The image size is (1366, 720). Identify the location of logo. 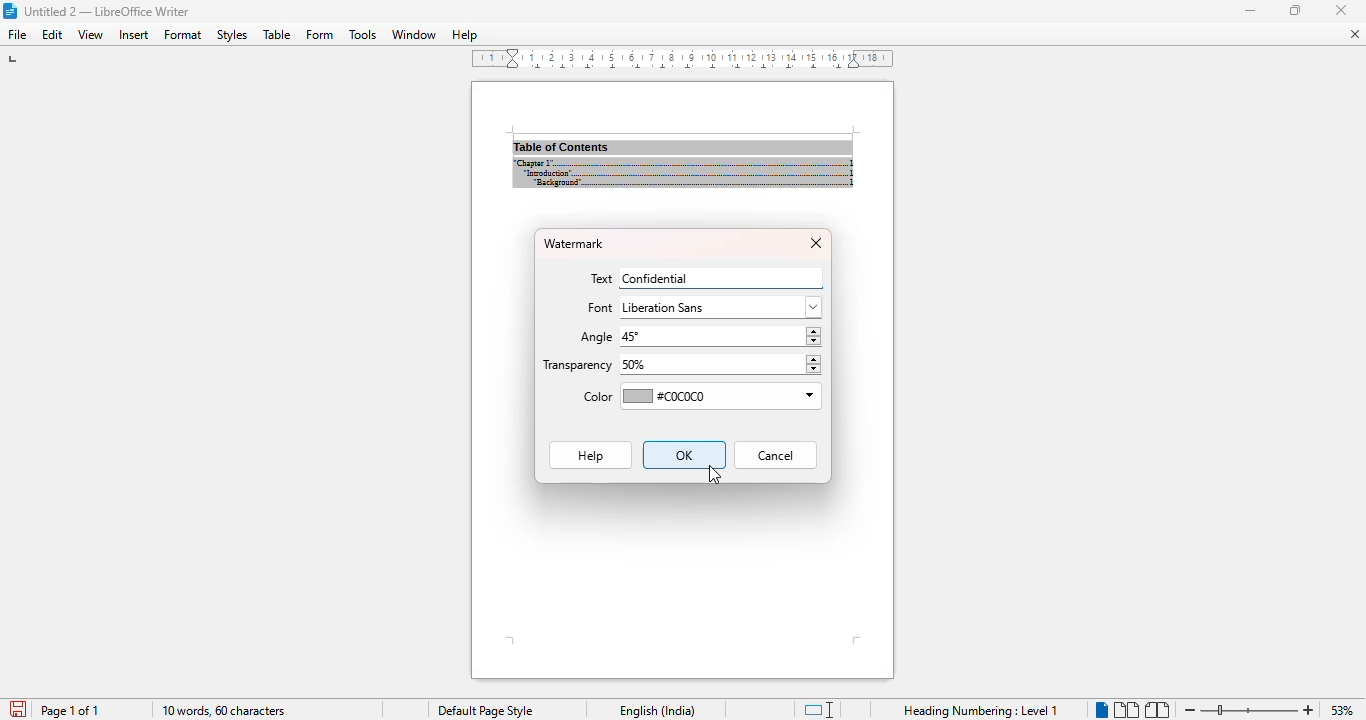
(10, 11).